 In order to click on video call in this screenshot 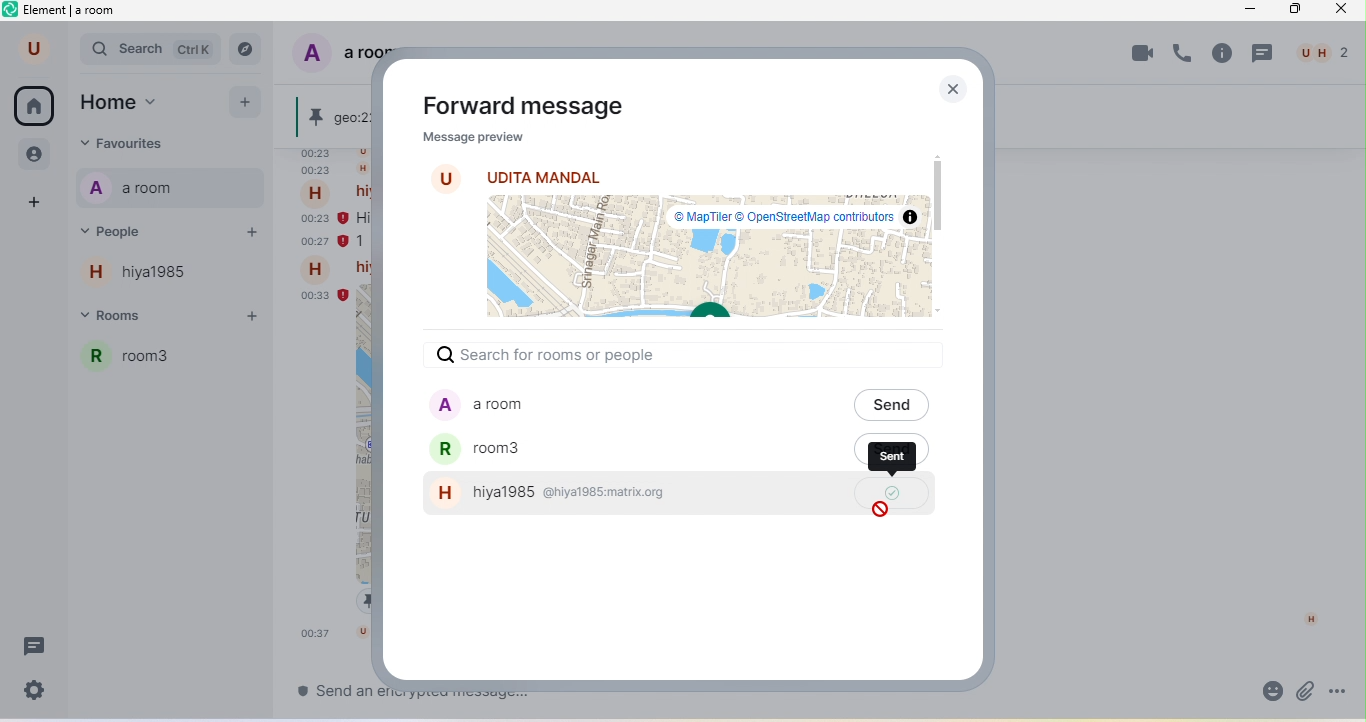, I will do `click(1140, 54)`.